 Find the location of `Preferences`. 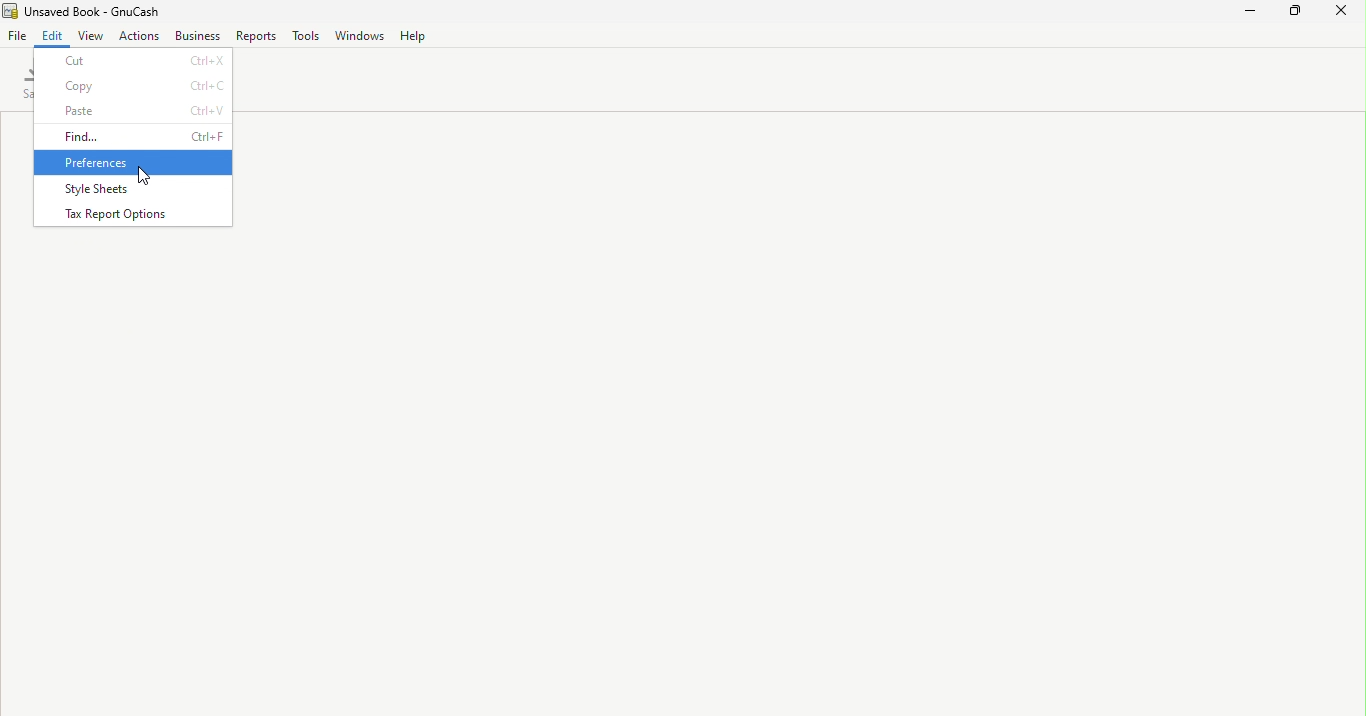

Preferences is located at coordinates (134, 162).